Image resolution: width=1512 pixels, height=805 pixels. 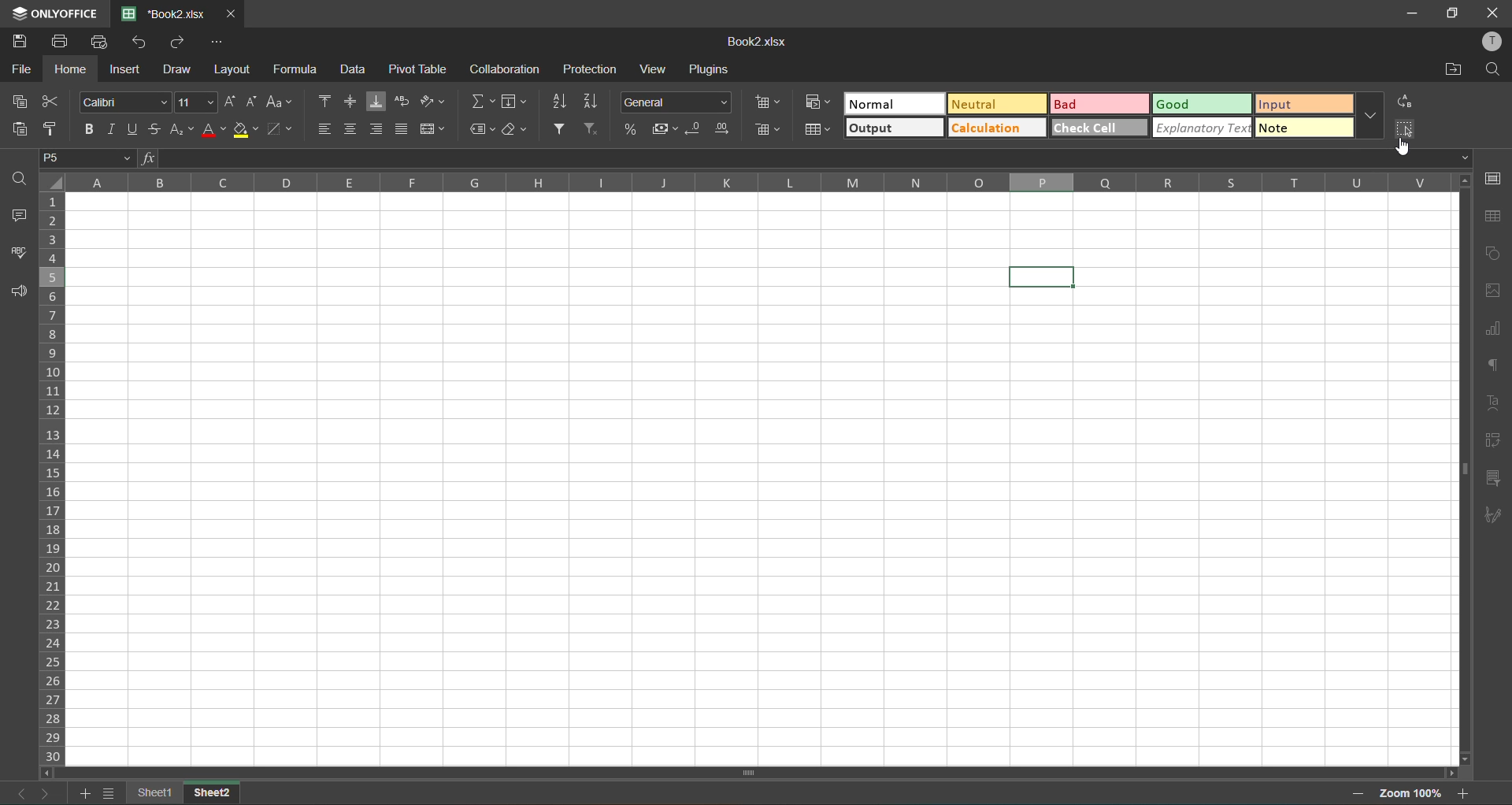 What do you see at coordinates (724, 128) in the screenshot?
I see `increase decimal` at bounding box center [724, 128].